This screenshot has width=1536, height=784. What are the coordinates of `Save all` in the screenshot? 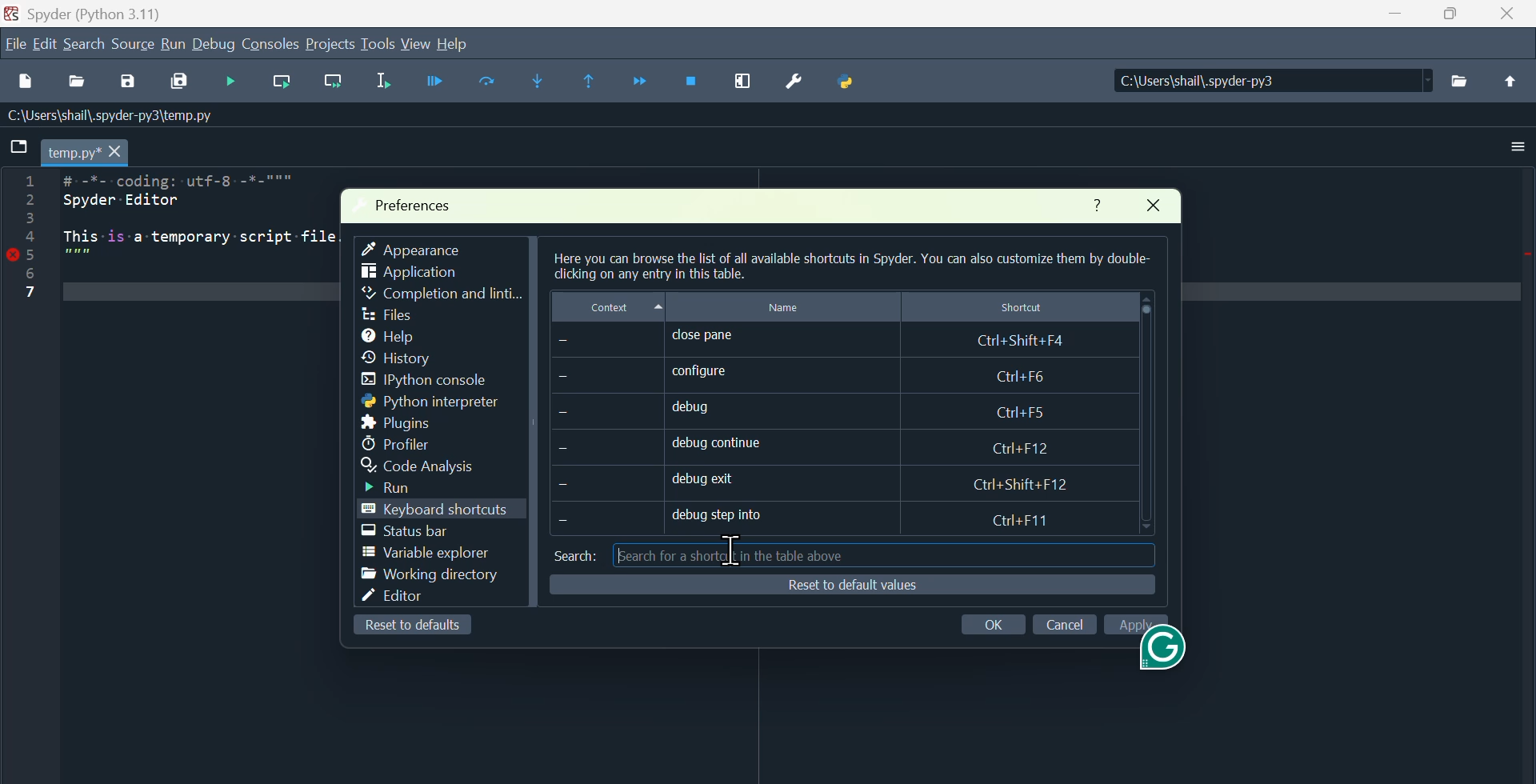 It's located at (177, 84).